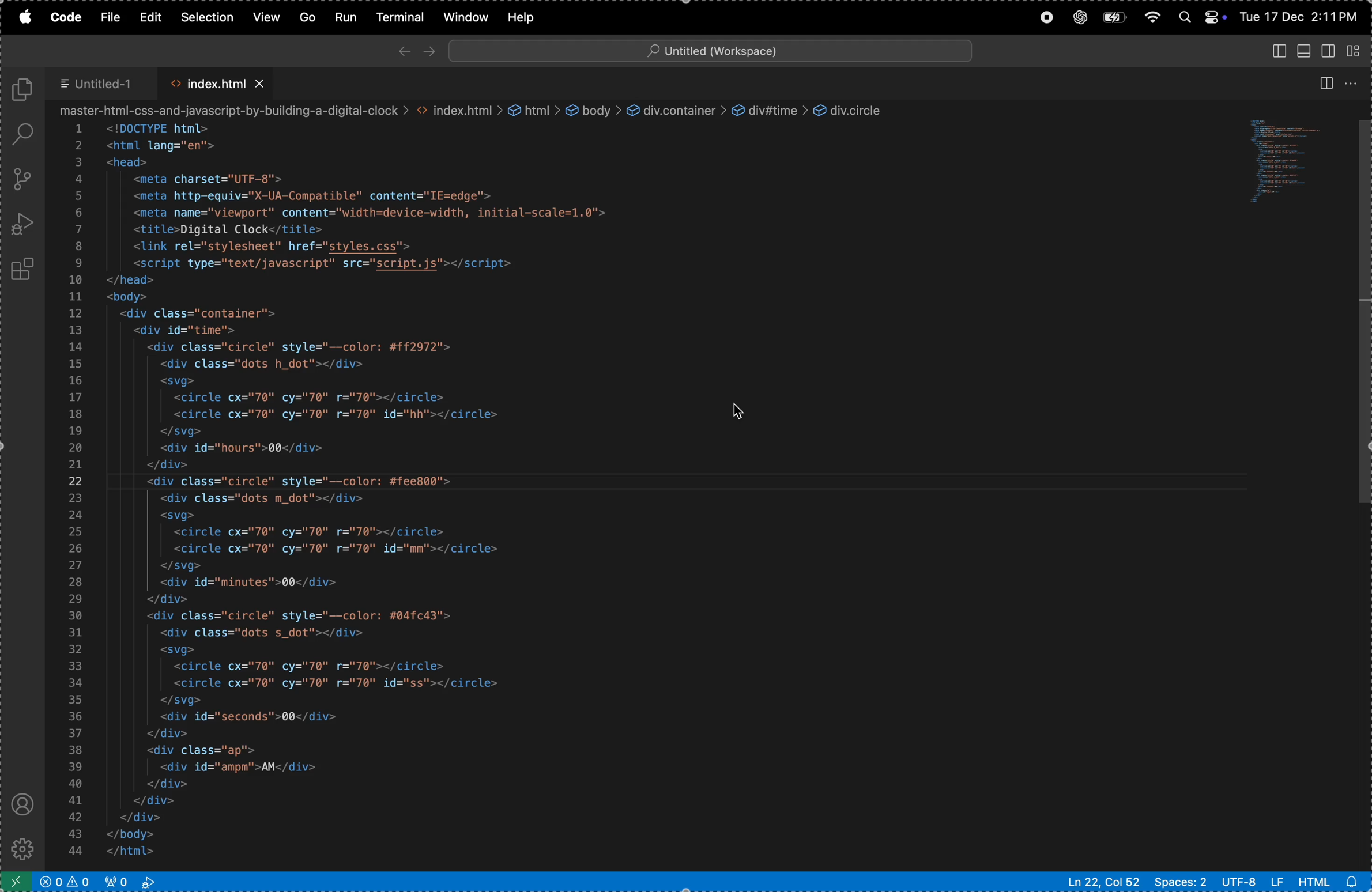  I want to click on toggle secondary sidebar, so click(1329, 52).